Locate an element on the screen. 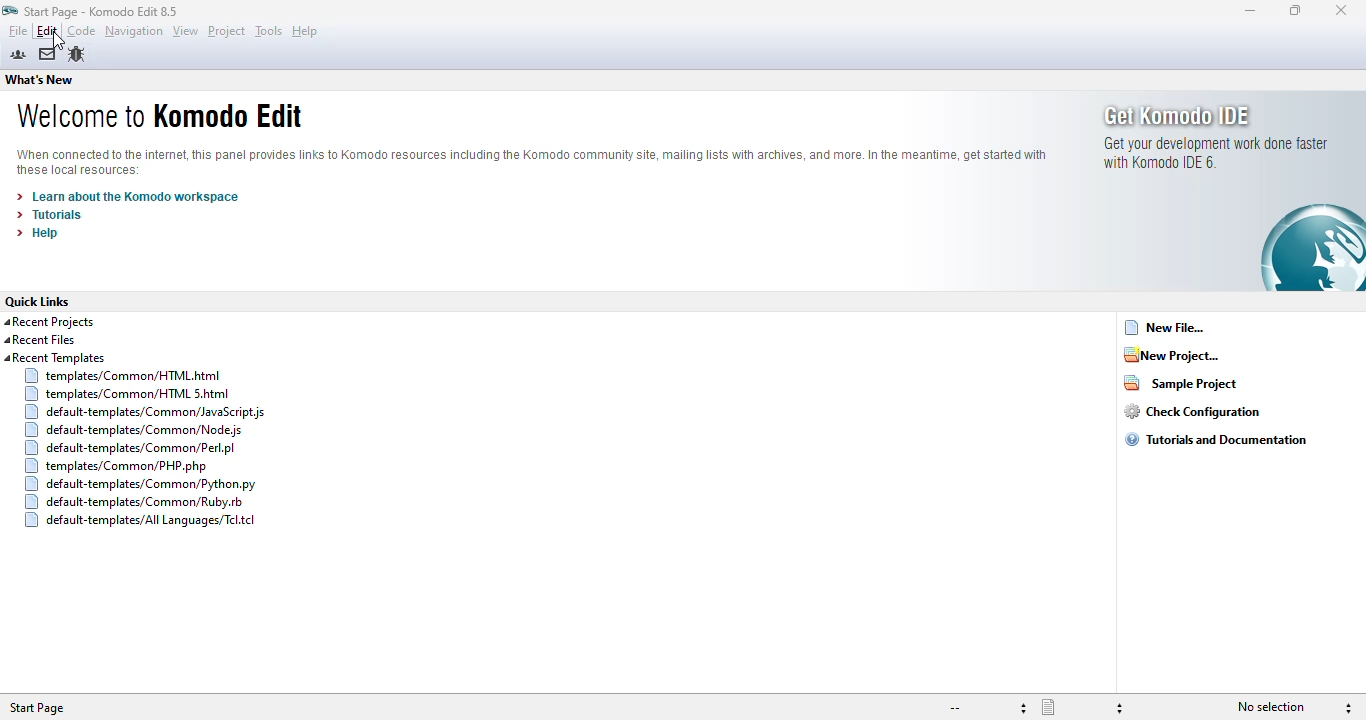 The height and width of the screenshot is (720, 1366). navigation is located at coordinates (133, 31).